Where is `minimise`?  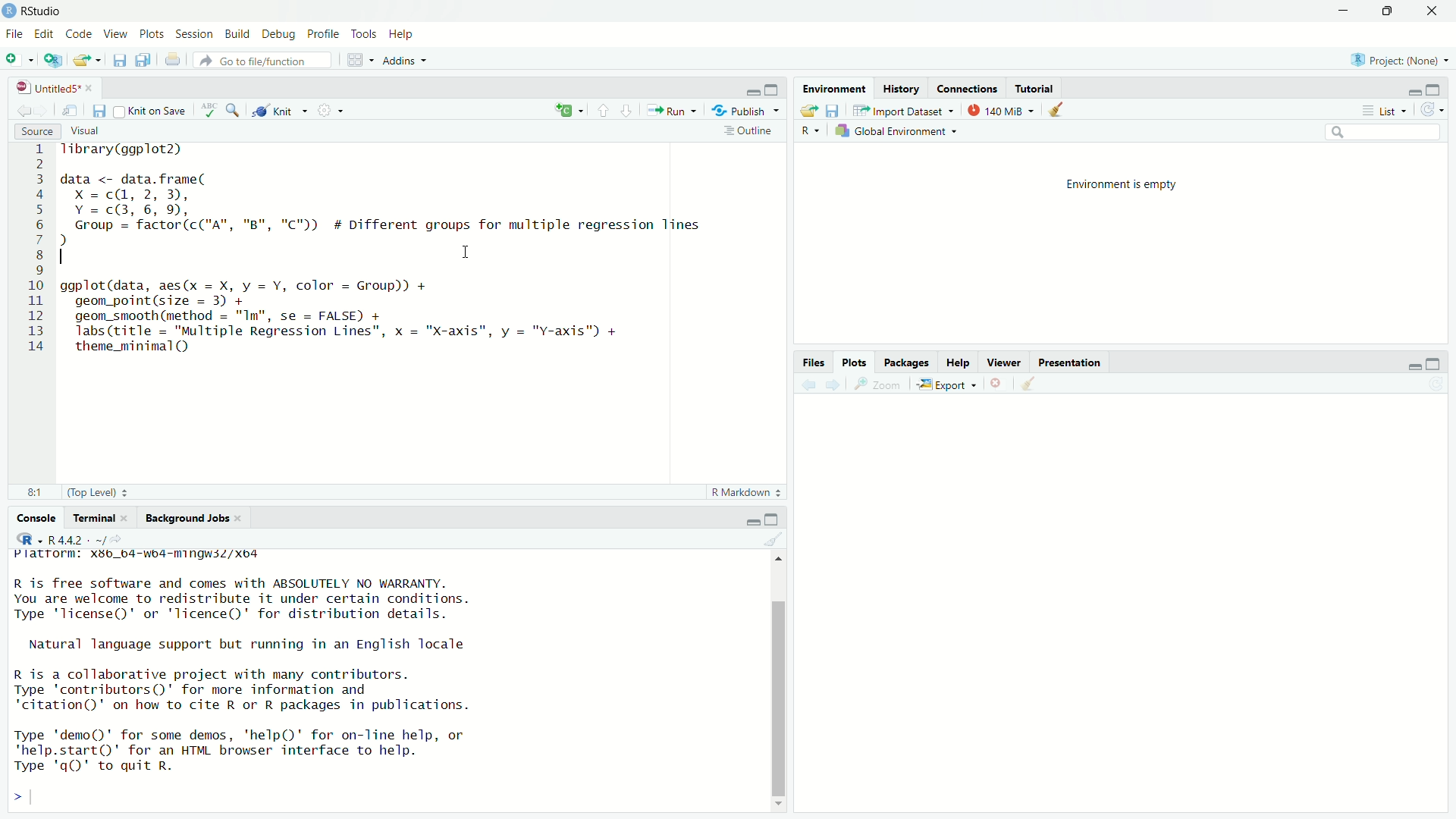 minimise is located at coordinates (1399, 362).